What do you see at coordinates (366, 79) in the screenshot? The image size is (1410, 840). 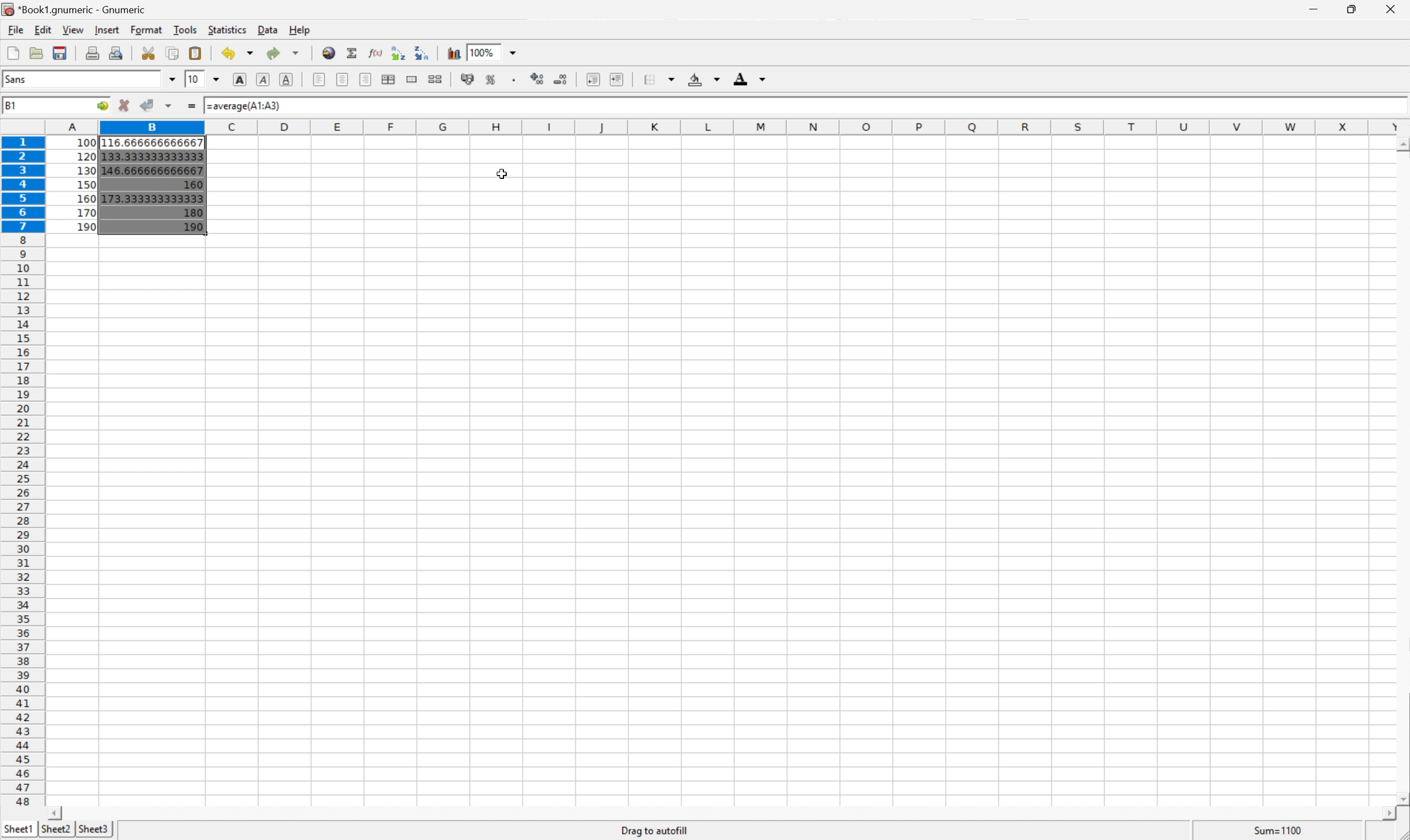 I see `Align Right` at bounding box center [366, 79].